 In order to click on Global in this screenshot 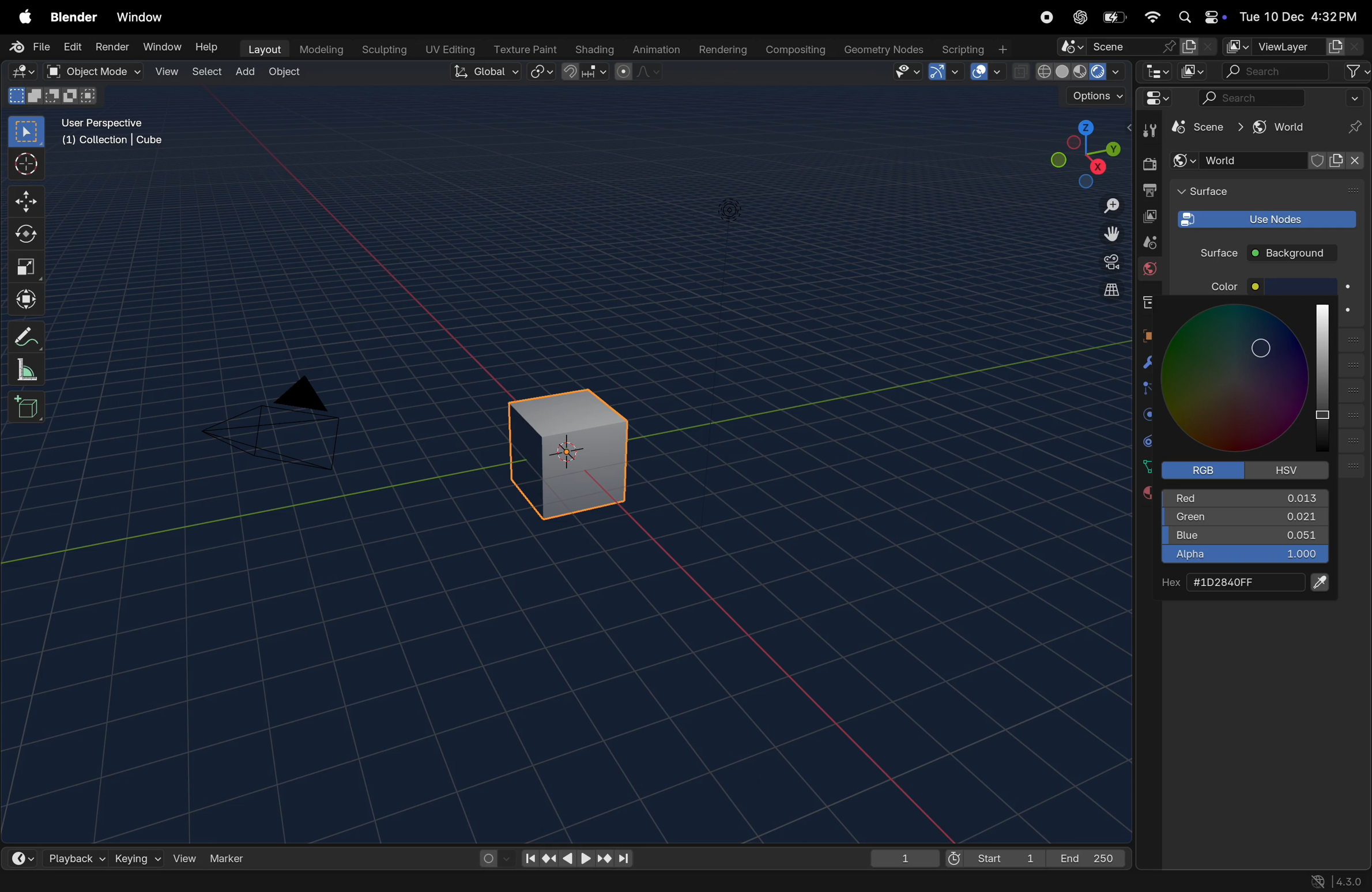, I will do `click(487, 73)`.